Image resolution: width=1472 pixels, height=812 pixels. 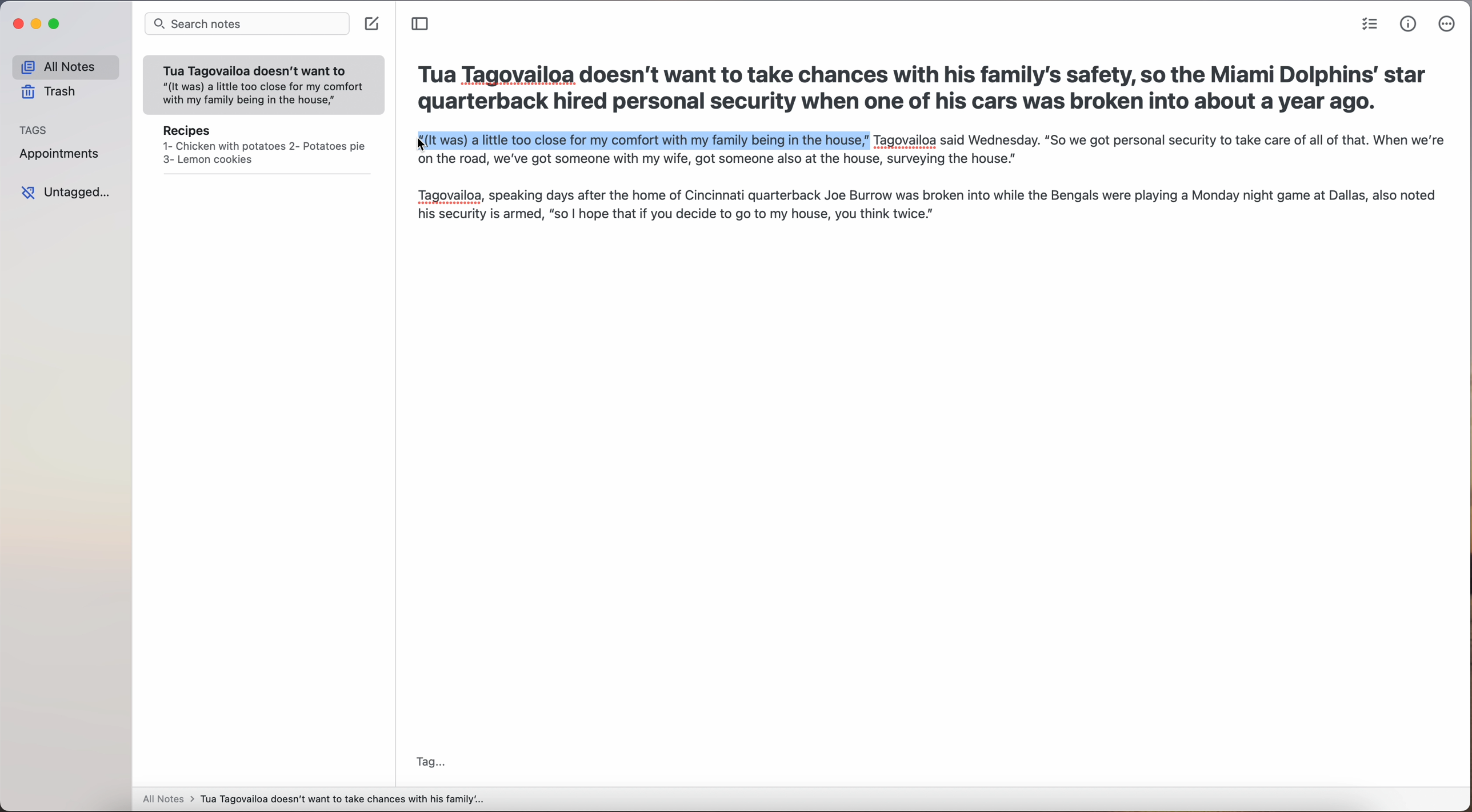 What do you see at coordinates (431, 763) in the screenshot?
I see `tag` at bounding box center [431, 763].